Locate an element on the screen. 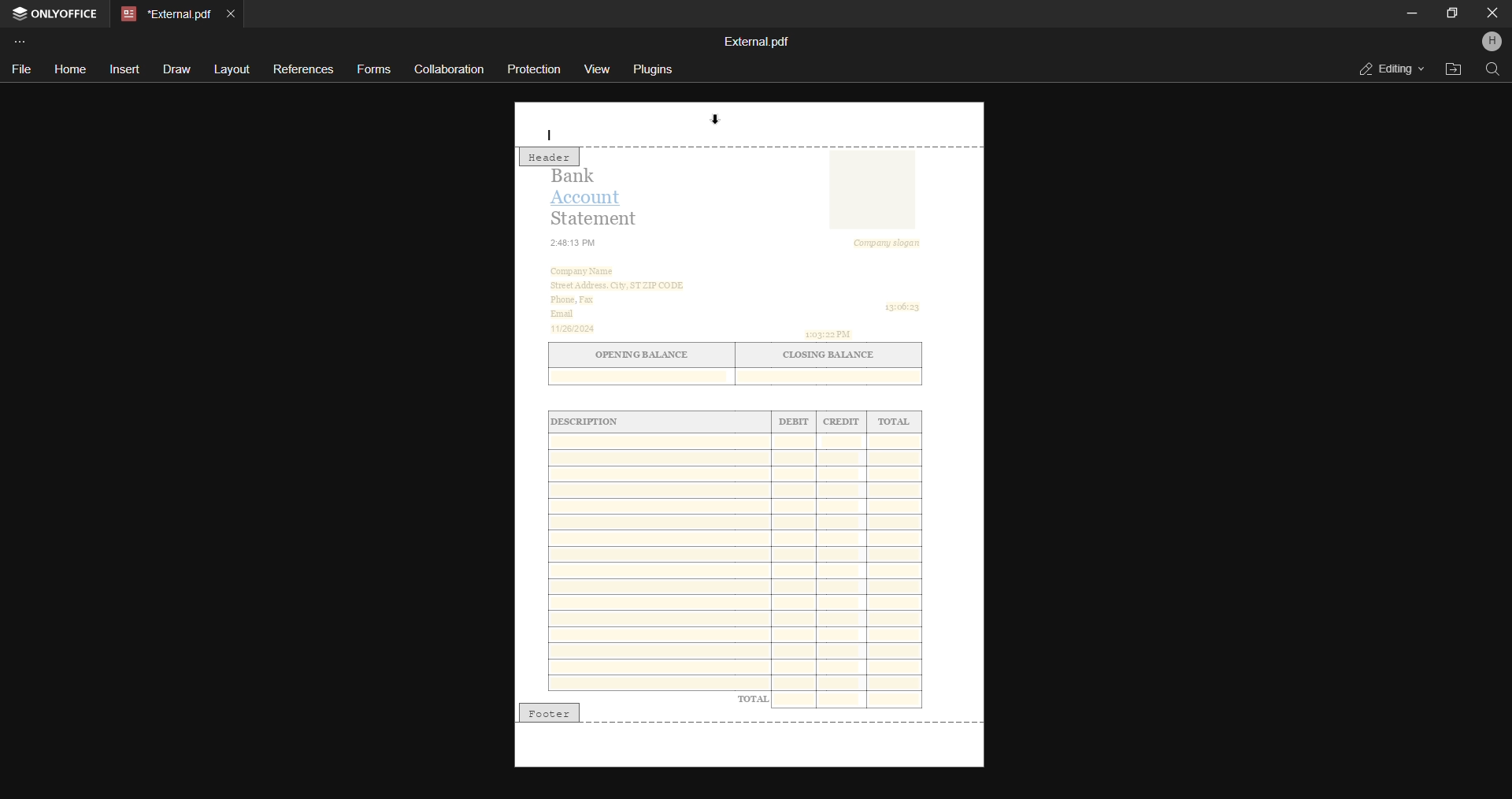  OnlyOffice application tab is located at coordinates (57, 15).